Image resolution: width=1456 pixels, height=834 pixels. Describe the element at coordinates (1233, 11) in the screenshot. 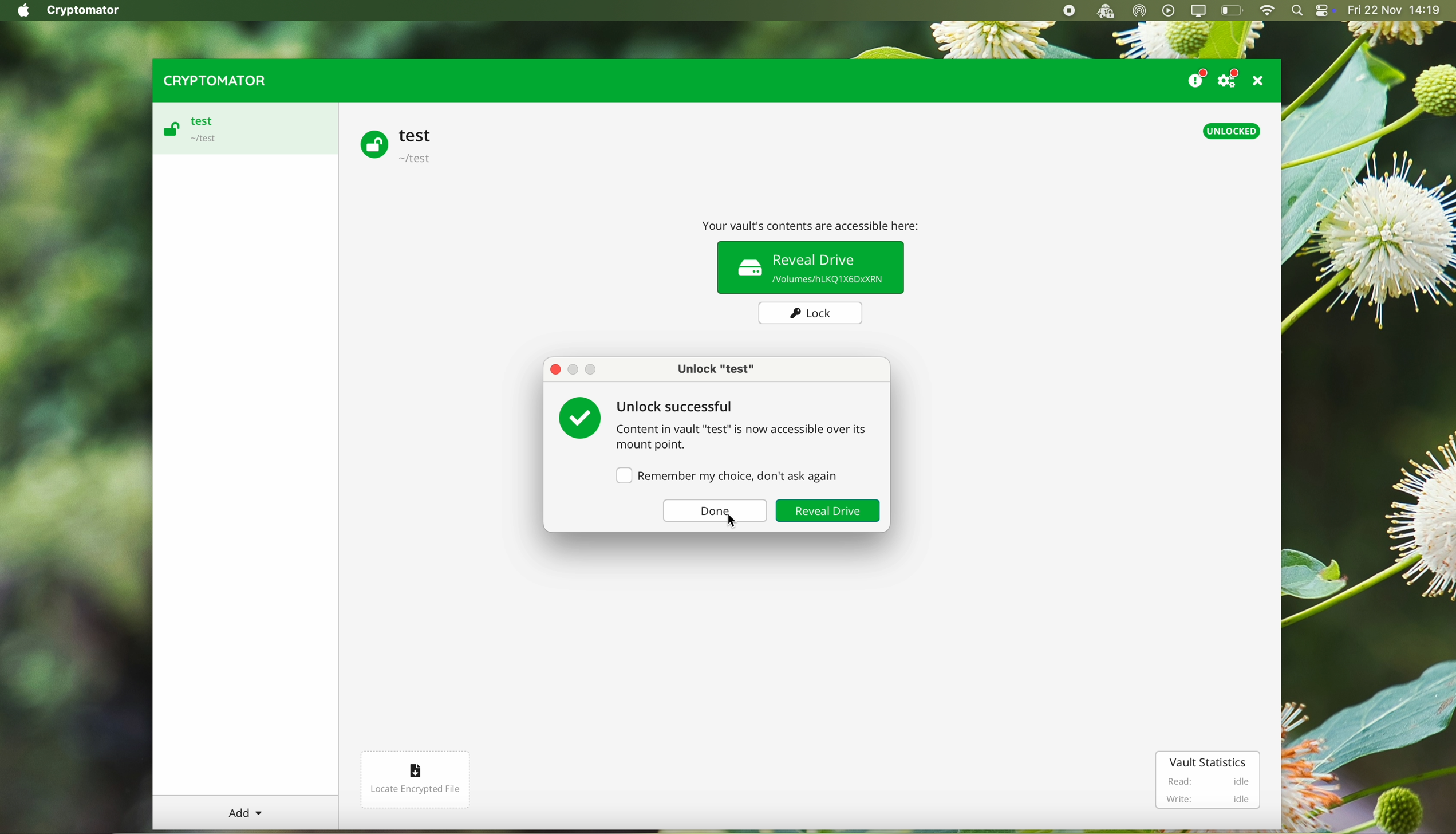

I see `battery` at that location.